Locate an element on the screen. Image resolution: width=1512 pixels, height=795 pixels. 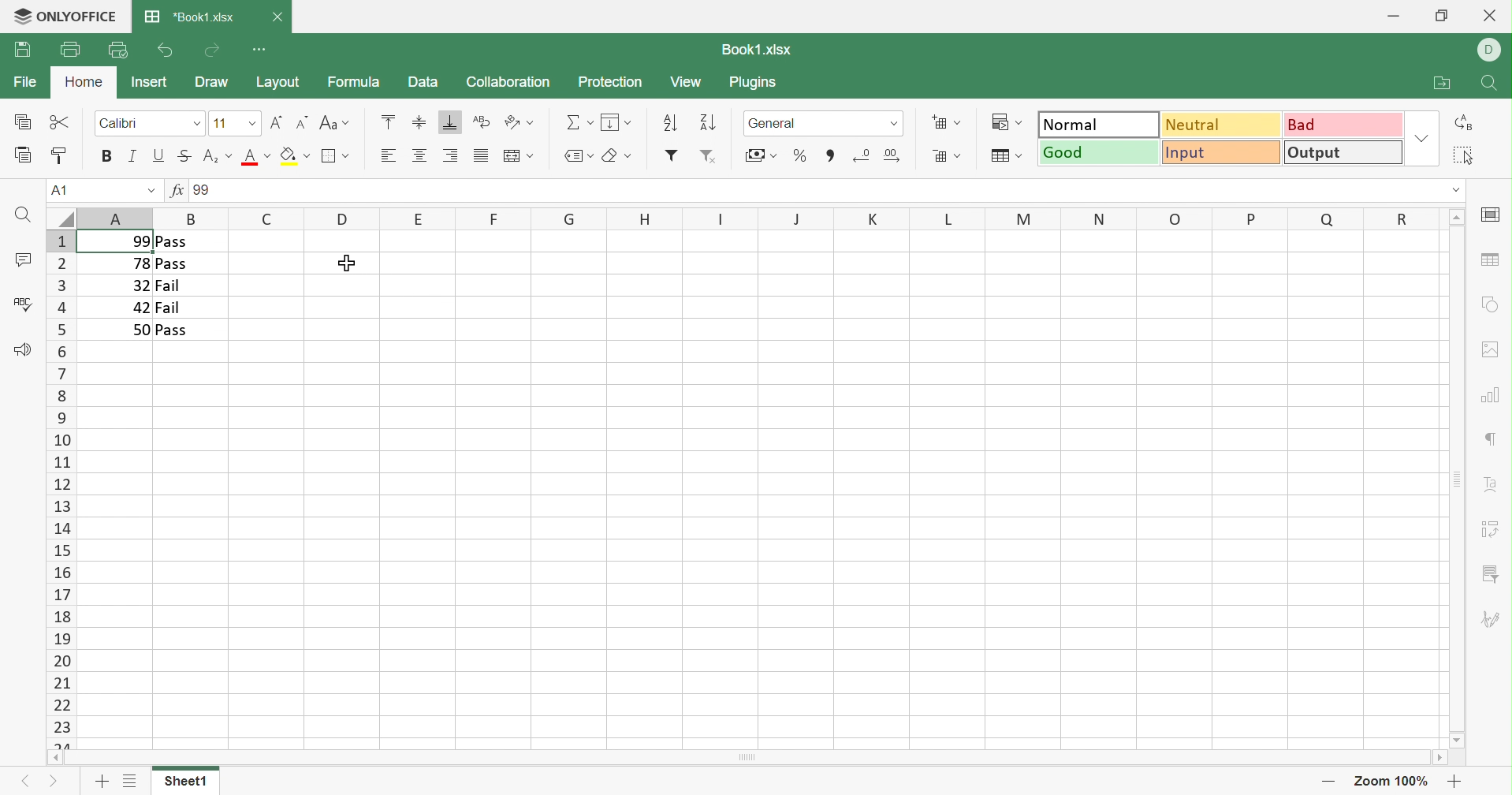
Bad is located at coordinates (1345, 123).